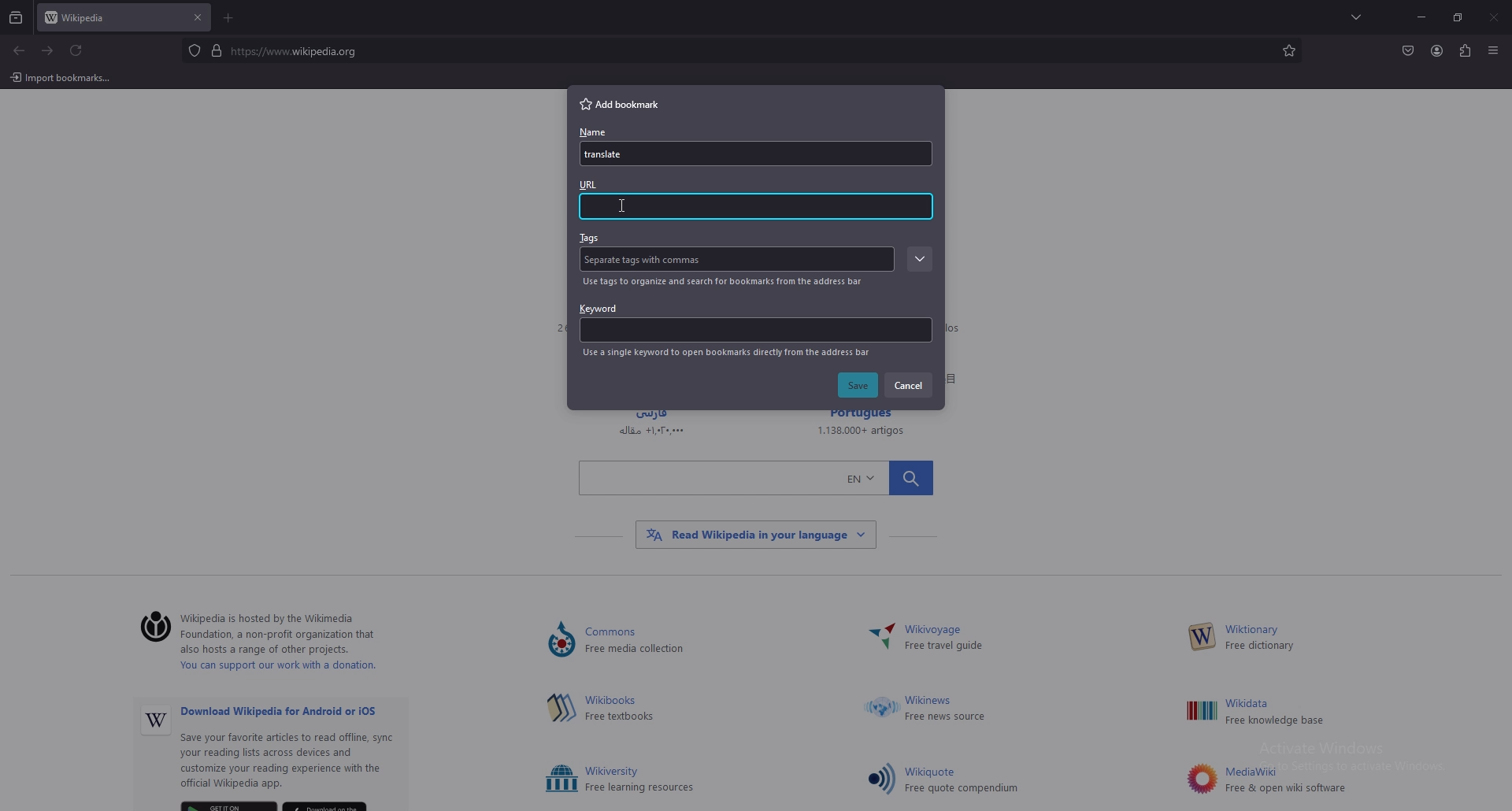 This screenshot has height=811, width=1512. I want to click on Tag, so click(651, 261).